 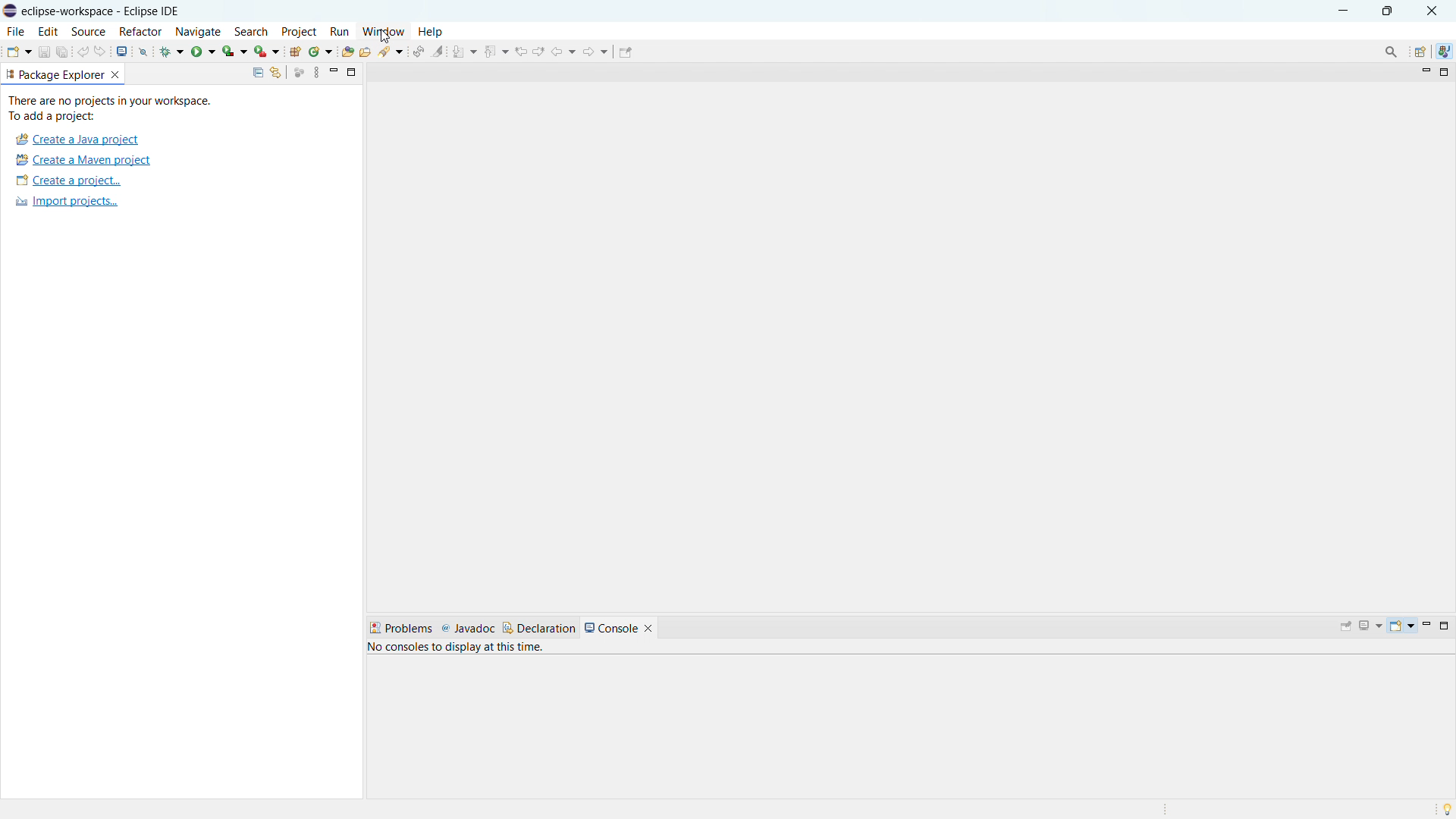 I want to click on java, so click(x=1444, y=52).